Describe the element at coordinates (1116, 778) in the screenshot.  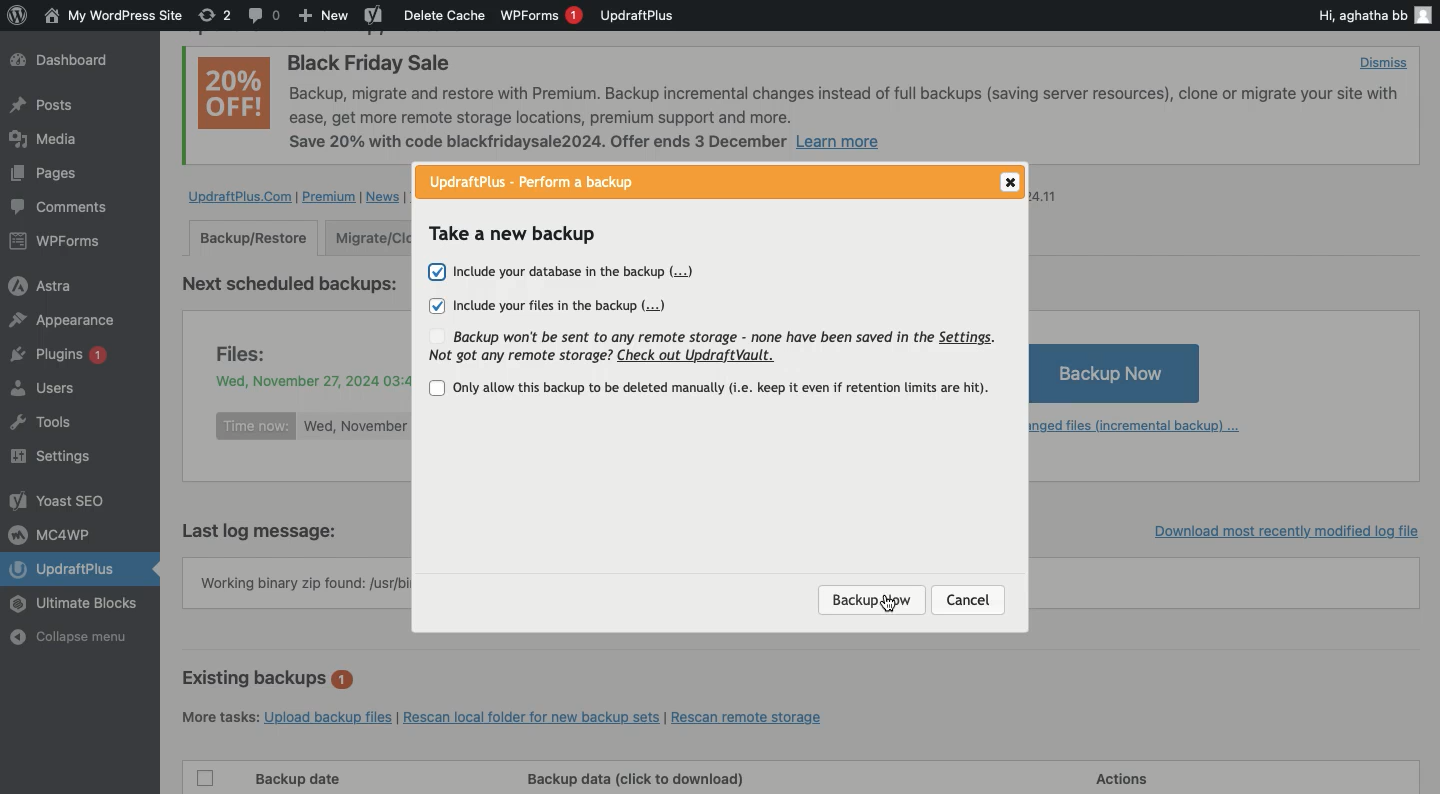
I see `Actions` at that location.